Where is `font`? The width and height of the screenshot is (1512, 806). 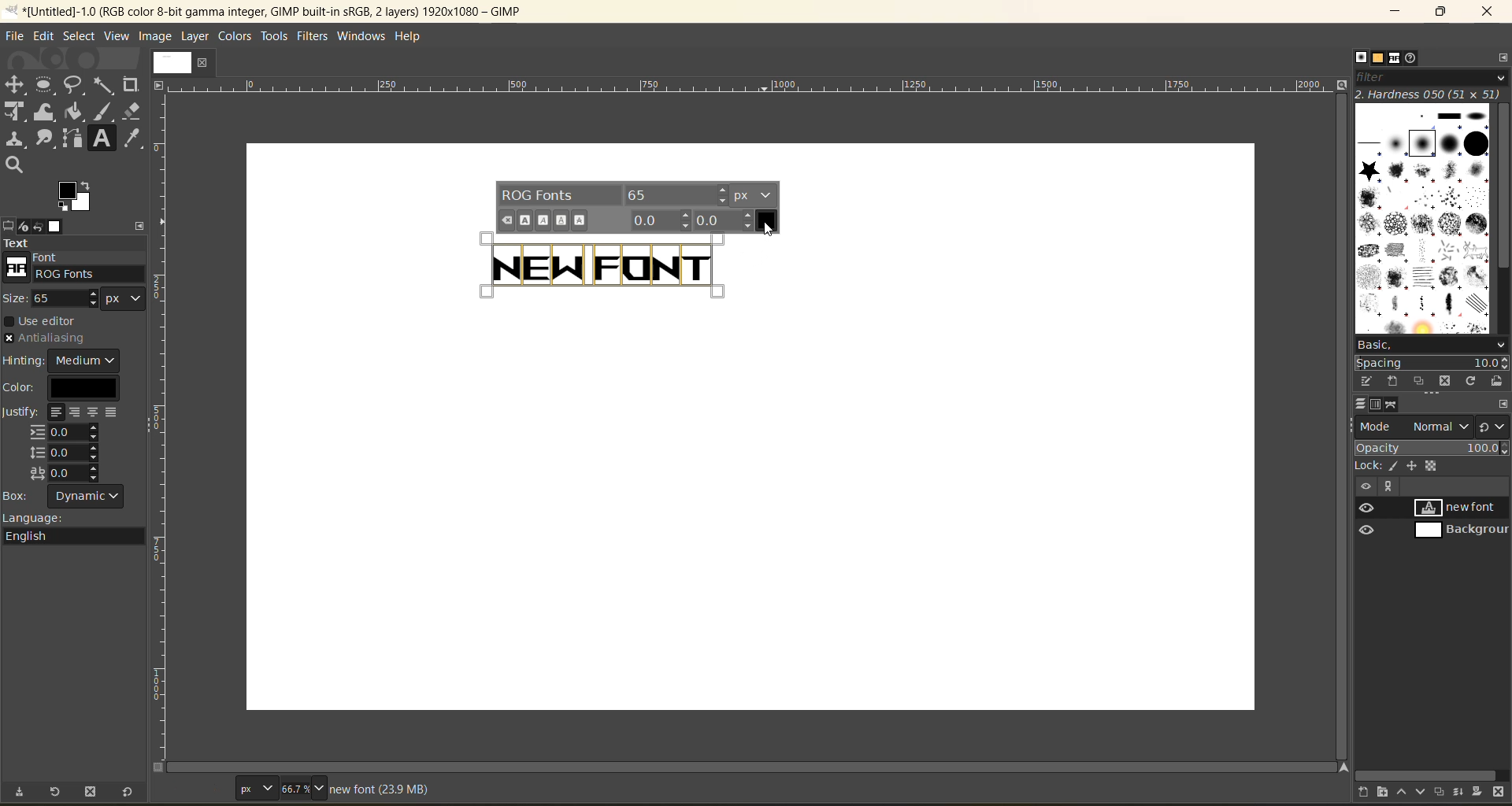 font is located at coordinates (76, 268).